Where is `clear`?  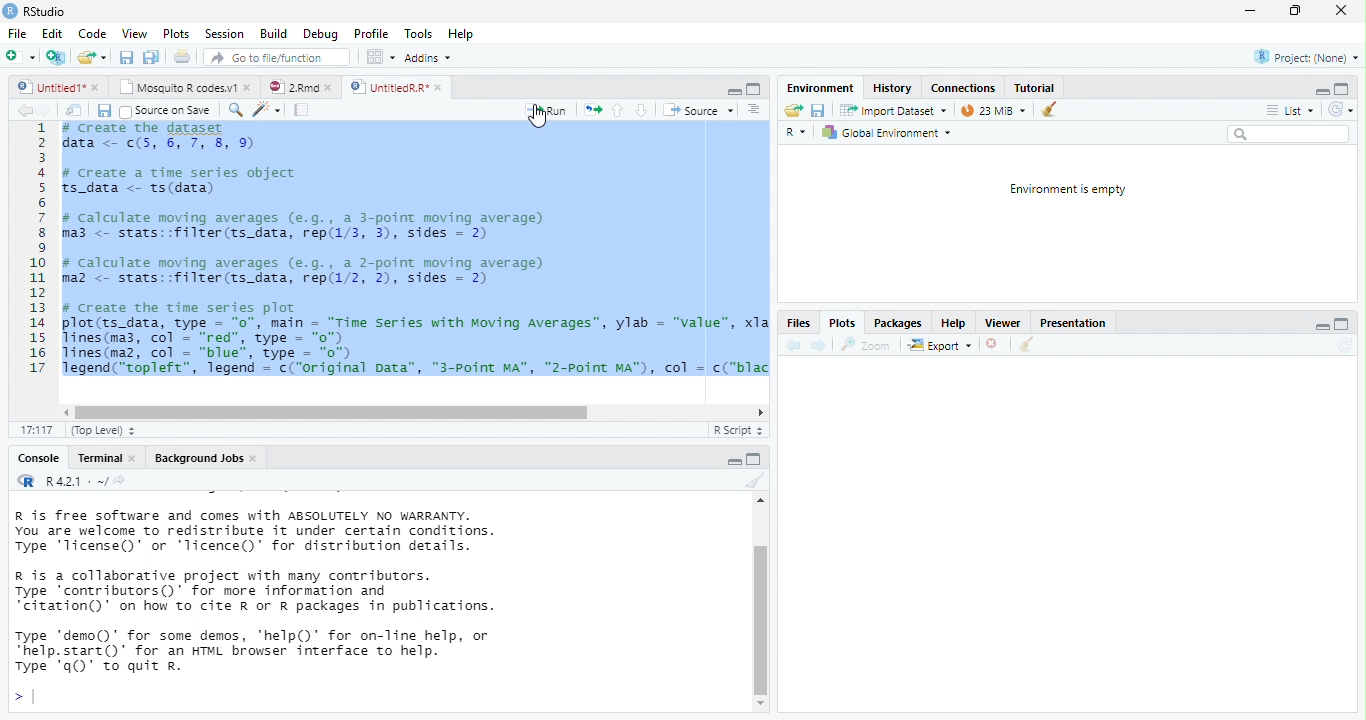 clear is located at coordinates (1049, 108).